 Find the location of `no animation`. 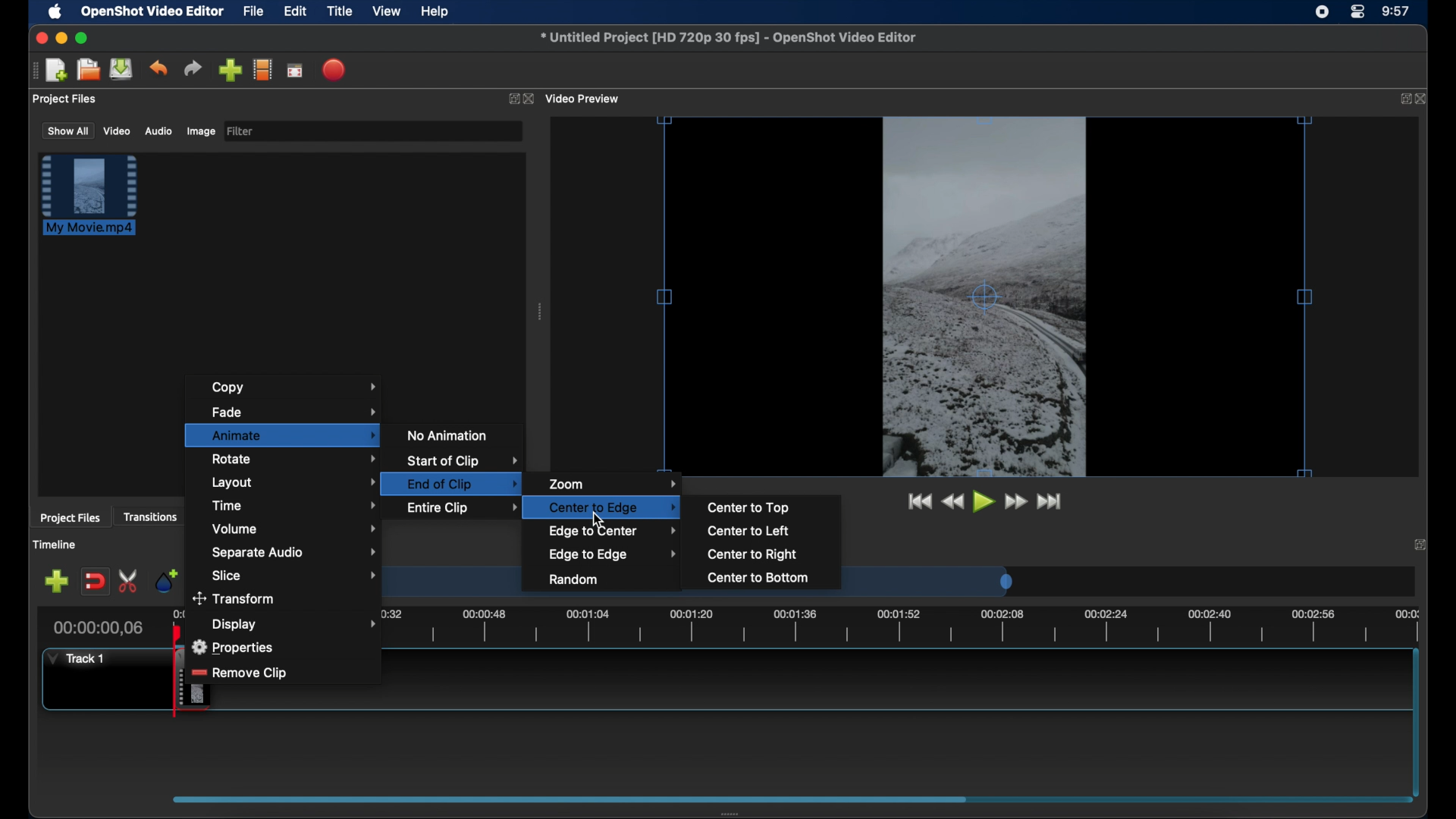

no animation is located at coordinates (448, 435).